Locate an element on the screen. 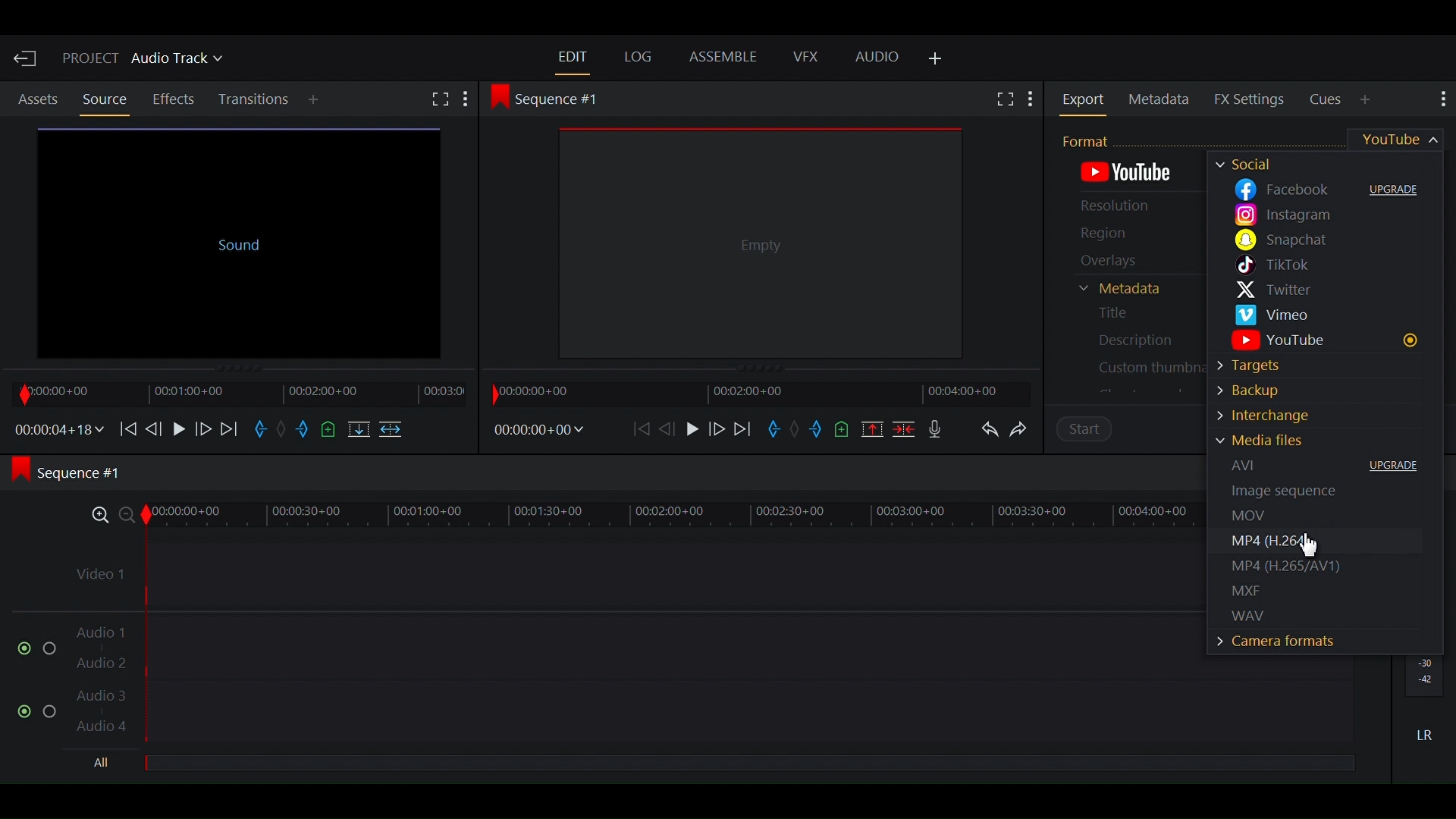 Image resolution: width=1456 pixels, height=819 pixels. Fullscreen is located at coordinates (1003, 99).